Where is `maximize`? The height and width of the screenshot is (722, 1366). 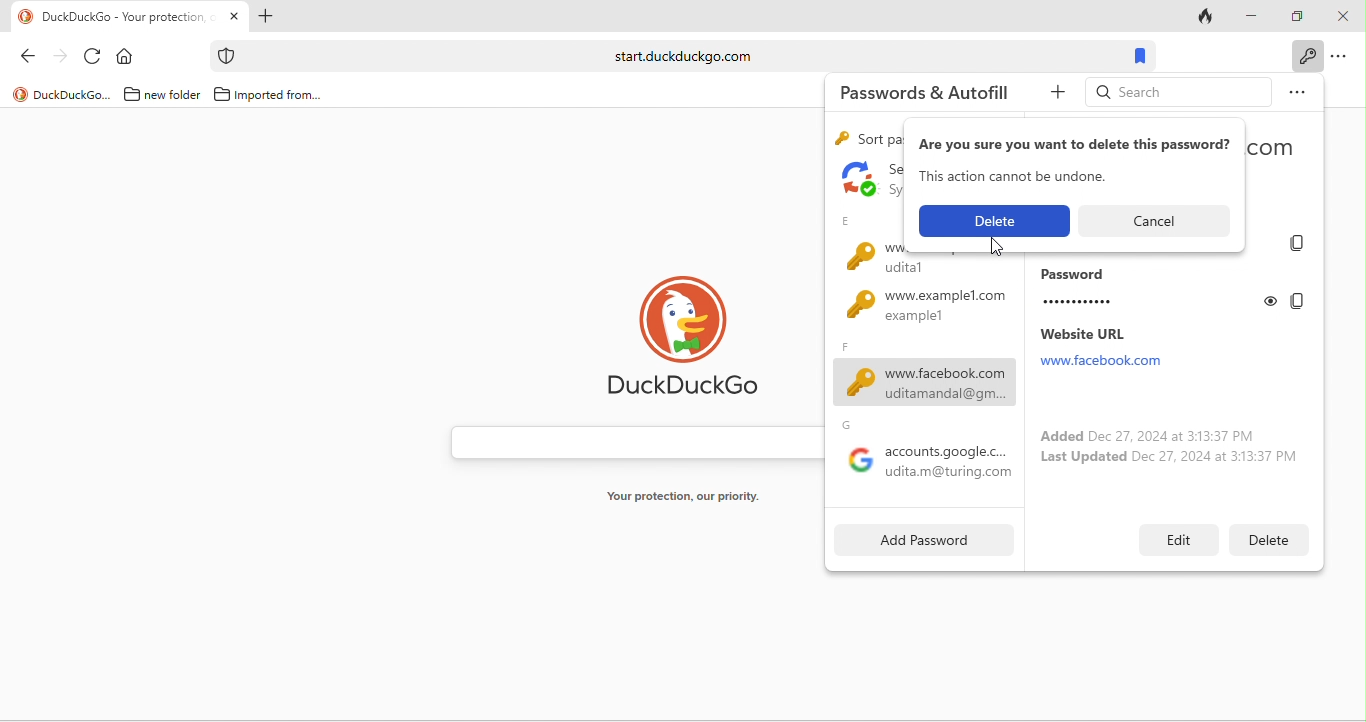
maximize is located at coordinates (1299, 14).